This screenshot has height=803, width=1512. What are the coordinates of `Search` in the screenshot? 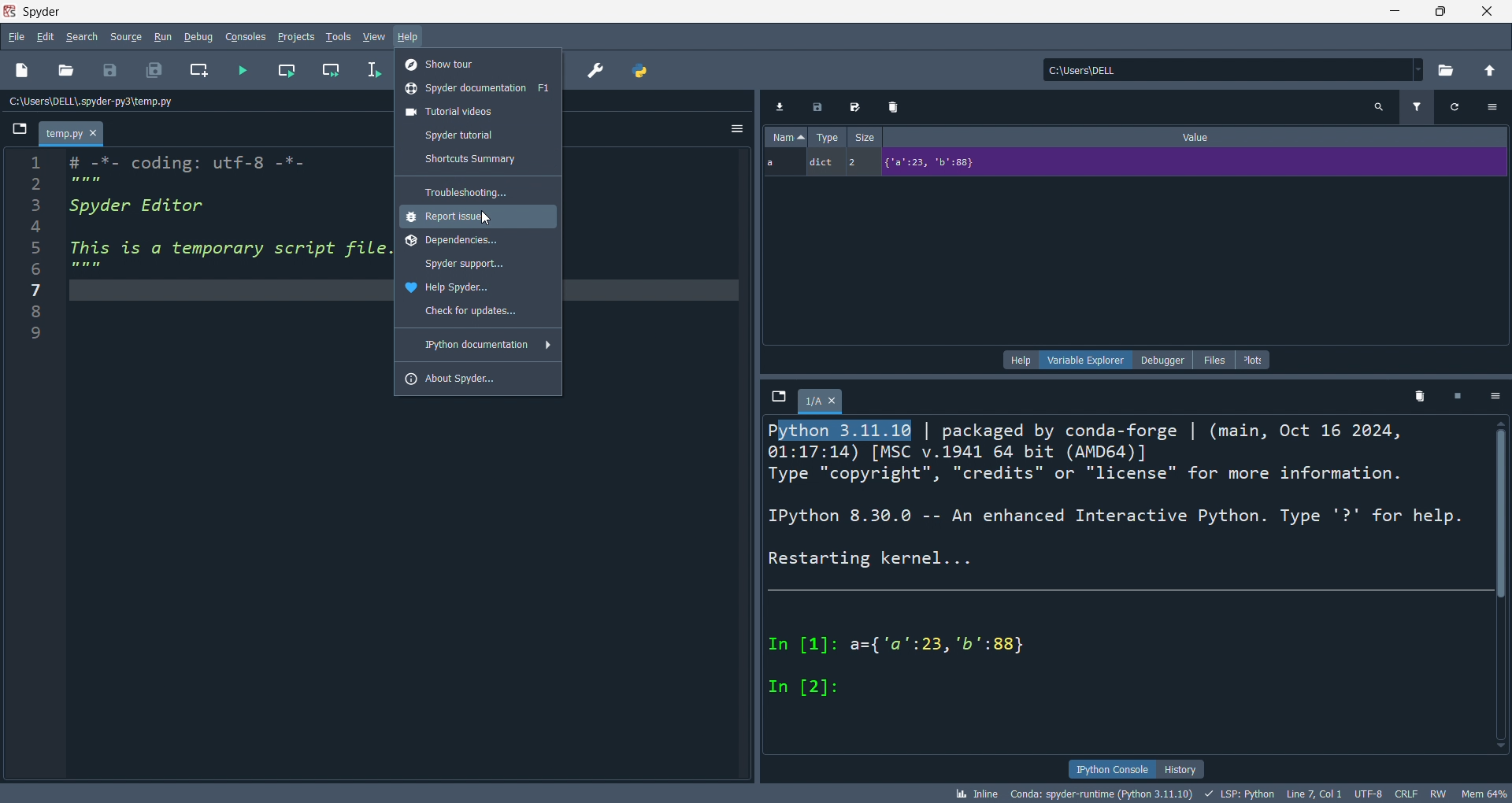 It's located at (1380, 106).